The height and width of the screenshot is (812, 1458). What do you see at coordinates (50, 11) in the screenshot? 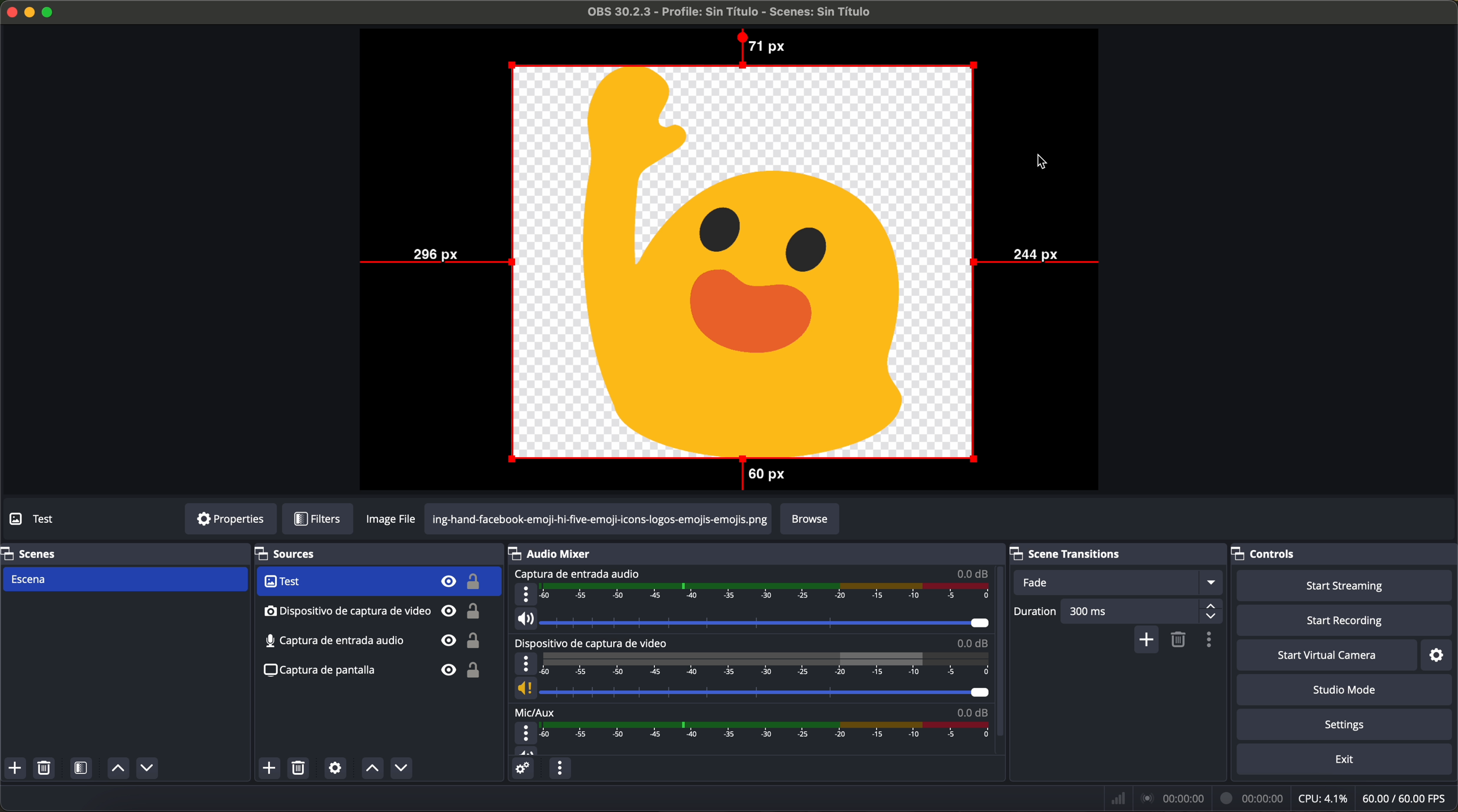
I see `maximize program` at bounding box center [50, 11].